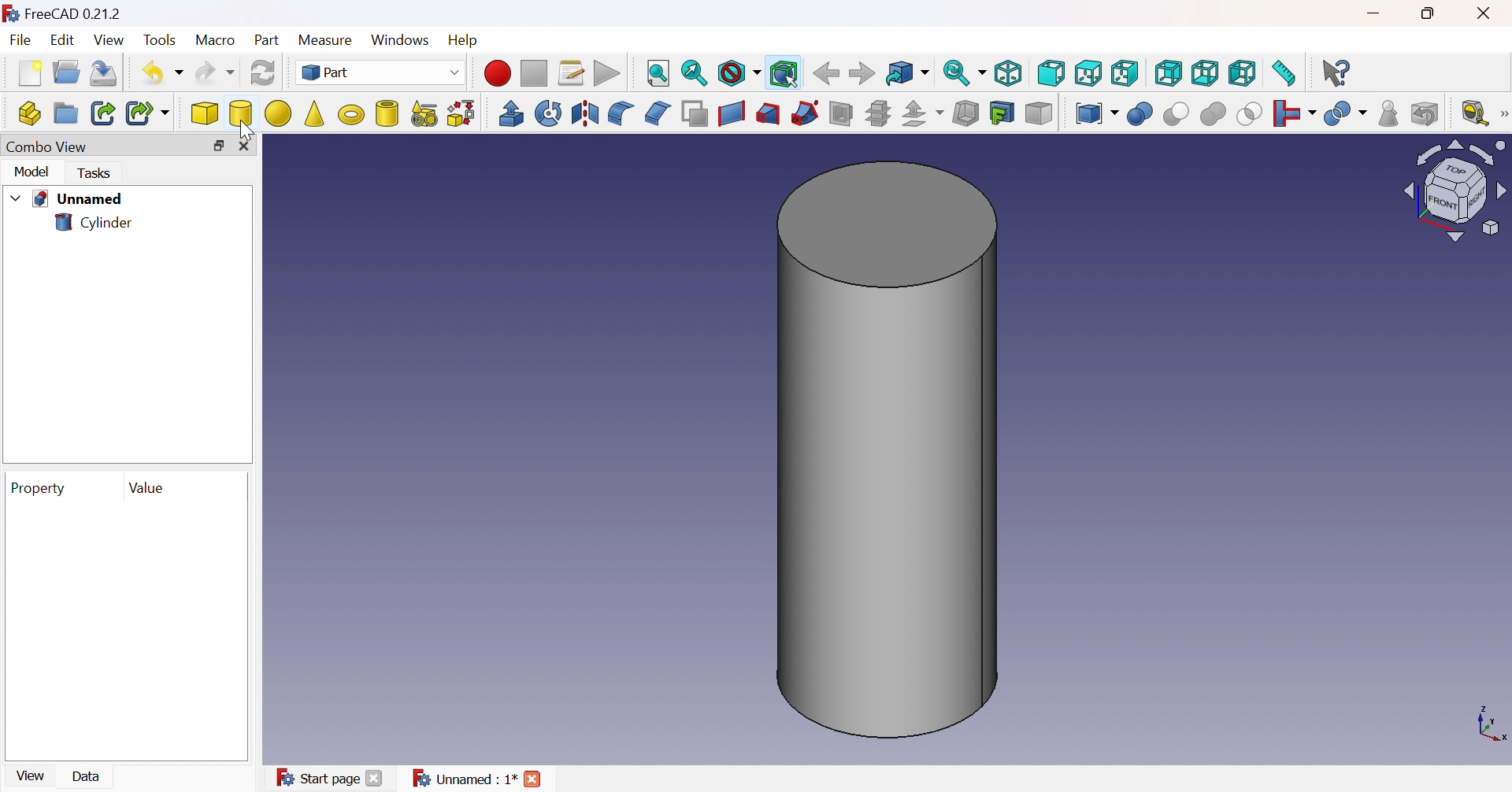 This screenshot has width=1512, height=792. I want to click on Open..., so click(66, 72).